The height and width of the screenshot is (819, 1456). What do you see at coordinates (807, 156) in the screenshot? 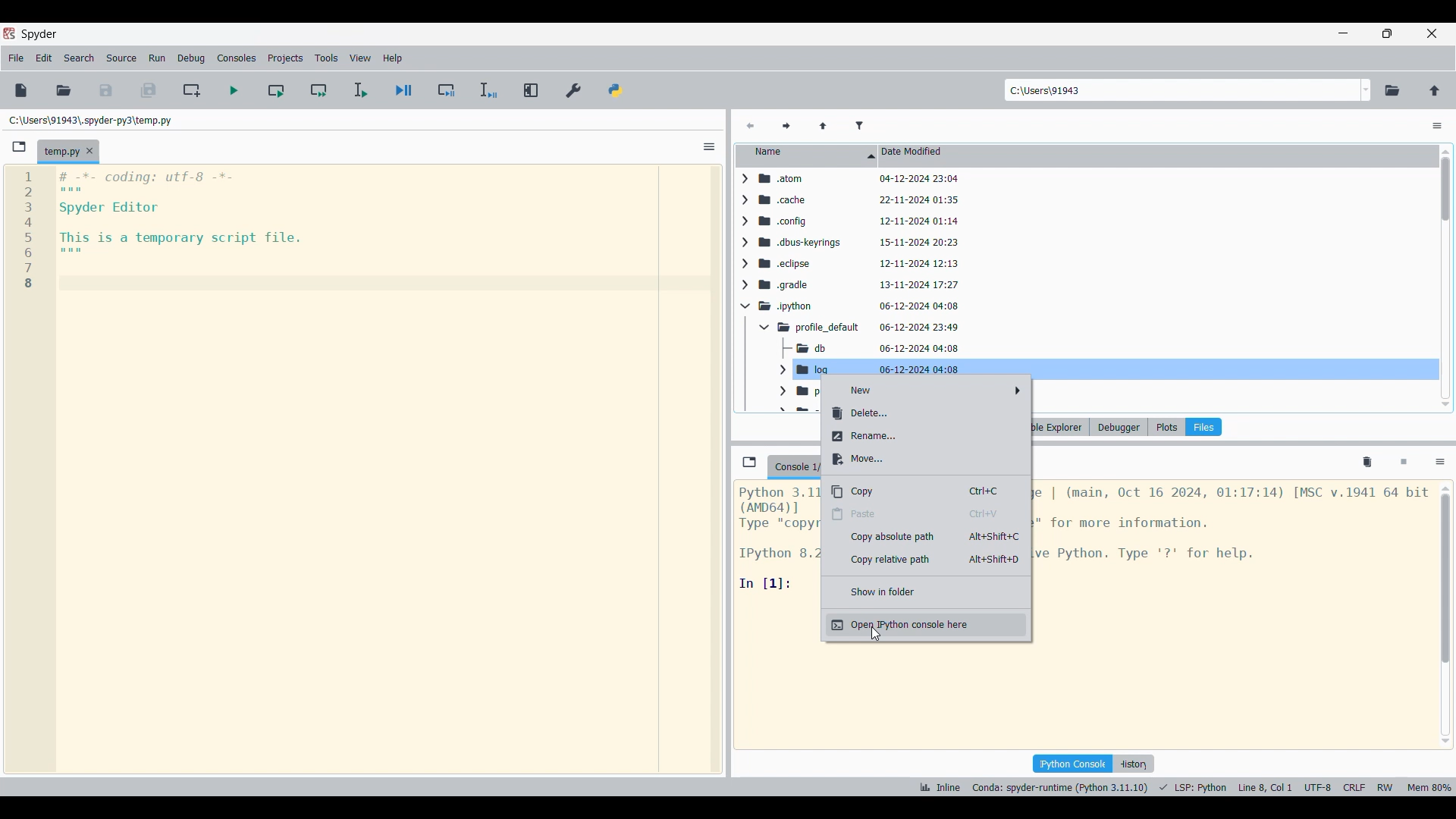
I see `Name column, current sorting` at bounding box center [807, 156].